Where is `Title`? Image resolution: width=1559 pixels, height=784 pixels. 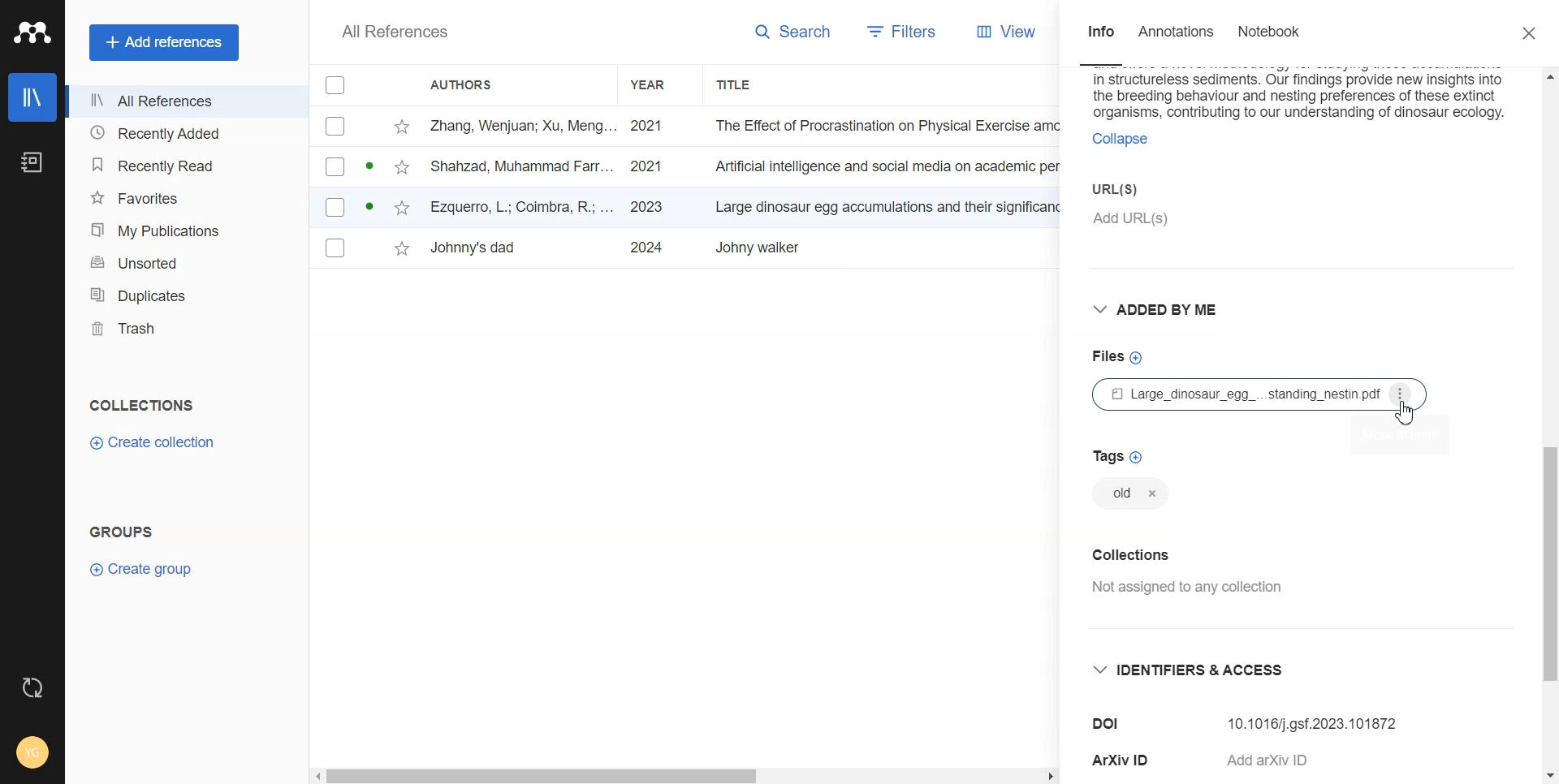 Title is located at coordinates (881, 205).